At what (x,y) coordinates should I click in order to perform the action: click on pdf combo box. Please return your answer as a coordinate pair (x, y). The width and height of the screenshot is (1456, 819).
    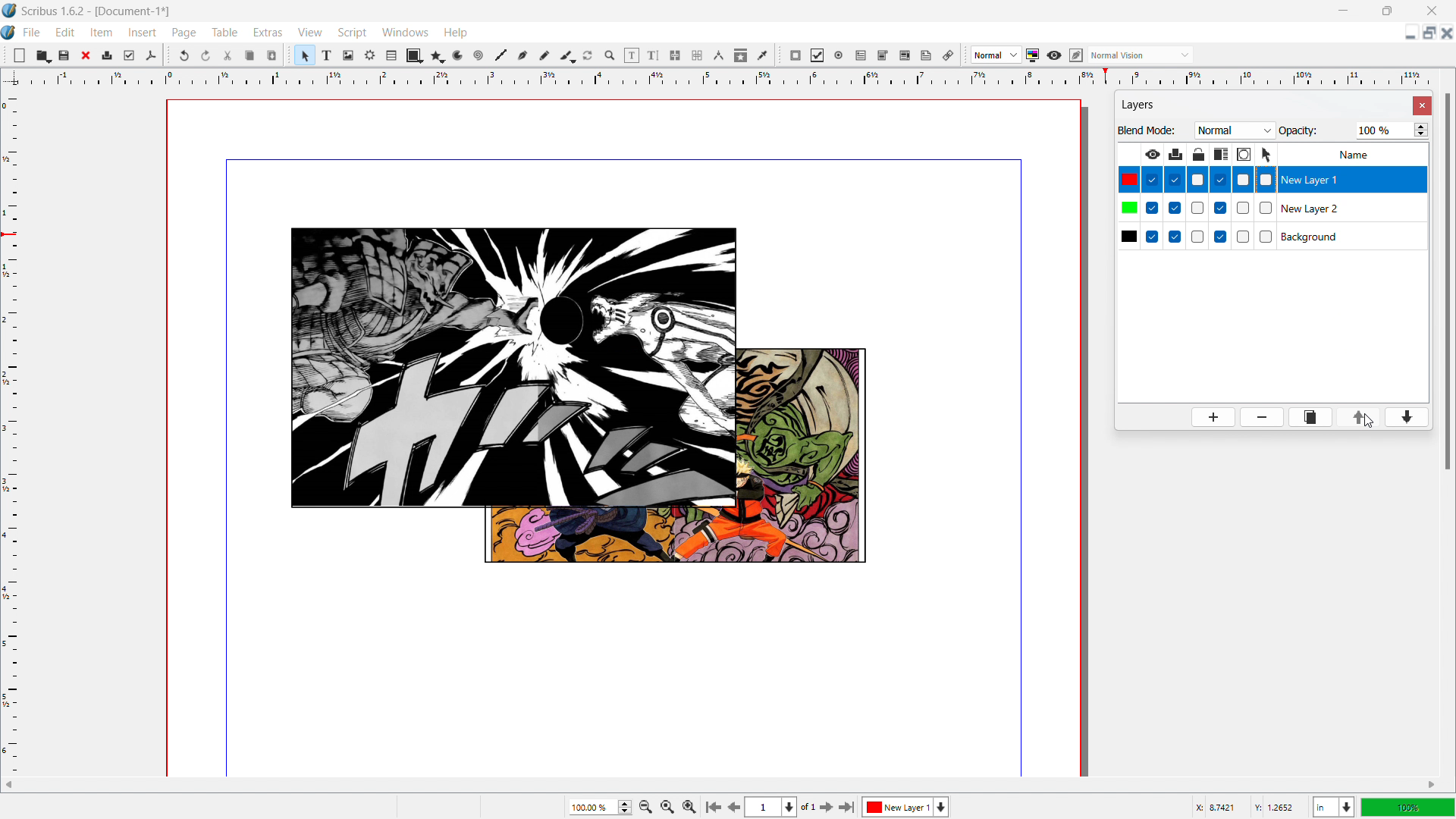
    Looking at the image, I should click on (883, 55).